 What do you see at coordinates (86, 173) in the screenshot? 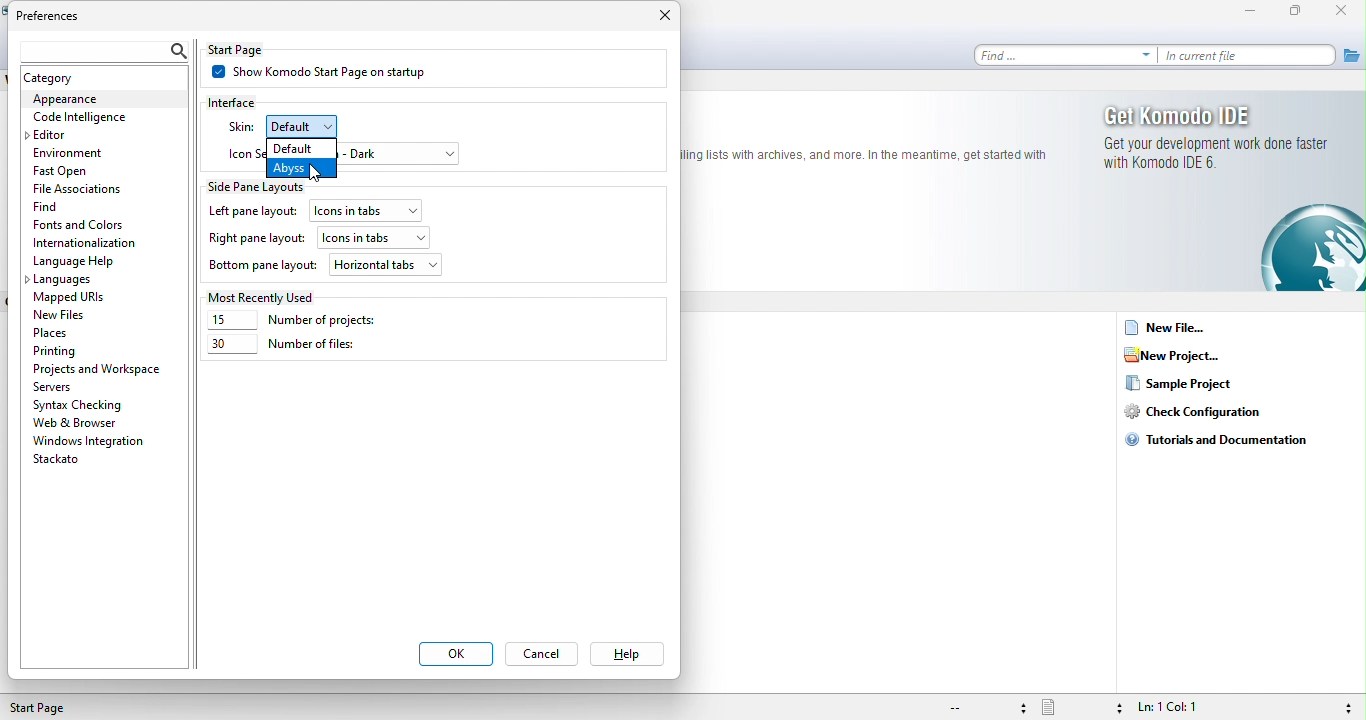
I see `fast open` at bounding box center [86, 173].